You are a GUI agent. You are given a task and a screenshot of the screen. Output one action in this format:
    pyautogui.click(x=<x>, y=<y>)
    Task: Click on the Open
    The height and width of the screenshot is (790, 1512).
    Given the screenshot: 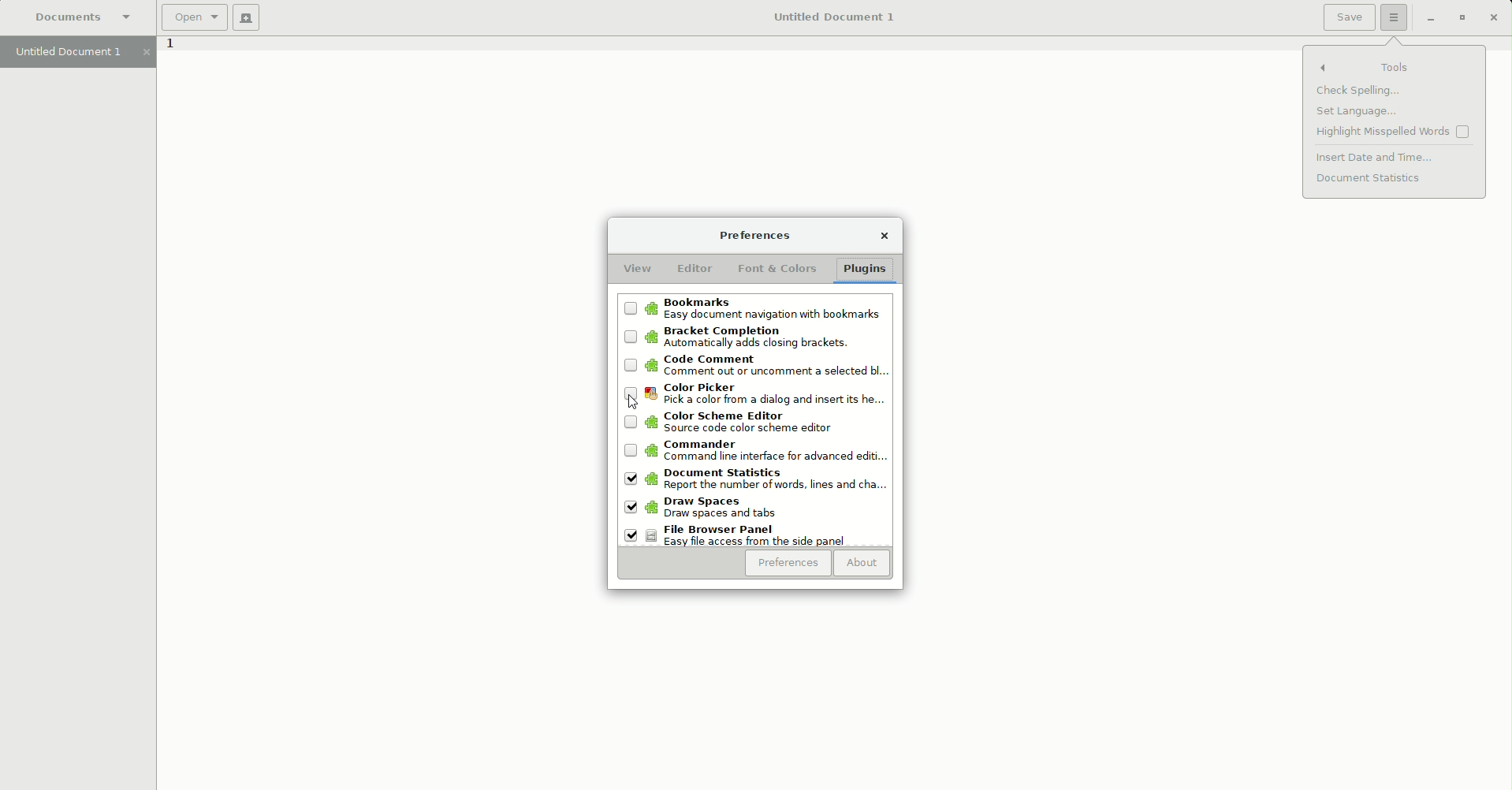 What is the action you would take?
    pyautogui.click(x=193, y=17)
    